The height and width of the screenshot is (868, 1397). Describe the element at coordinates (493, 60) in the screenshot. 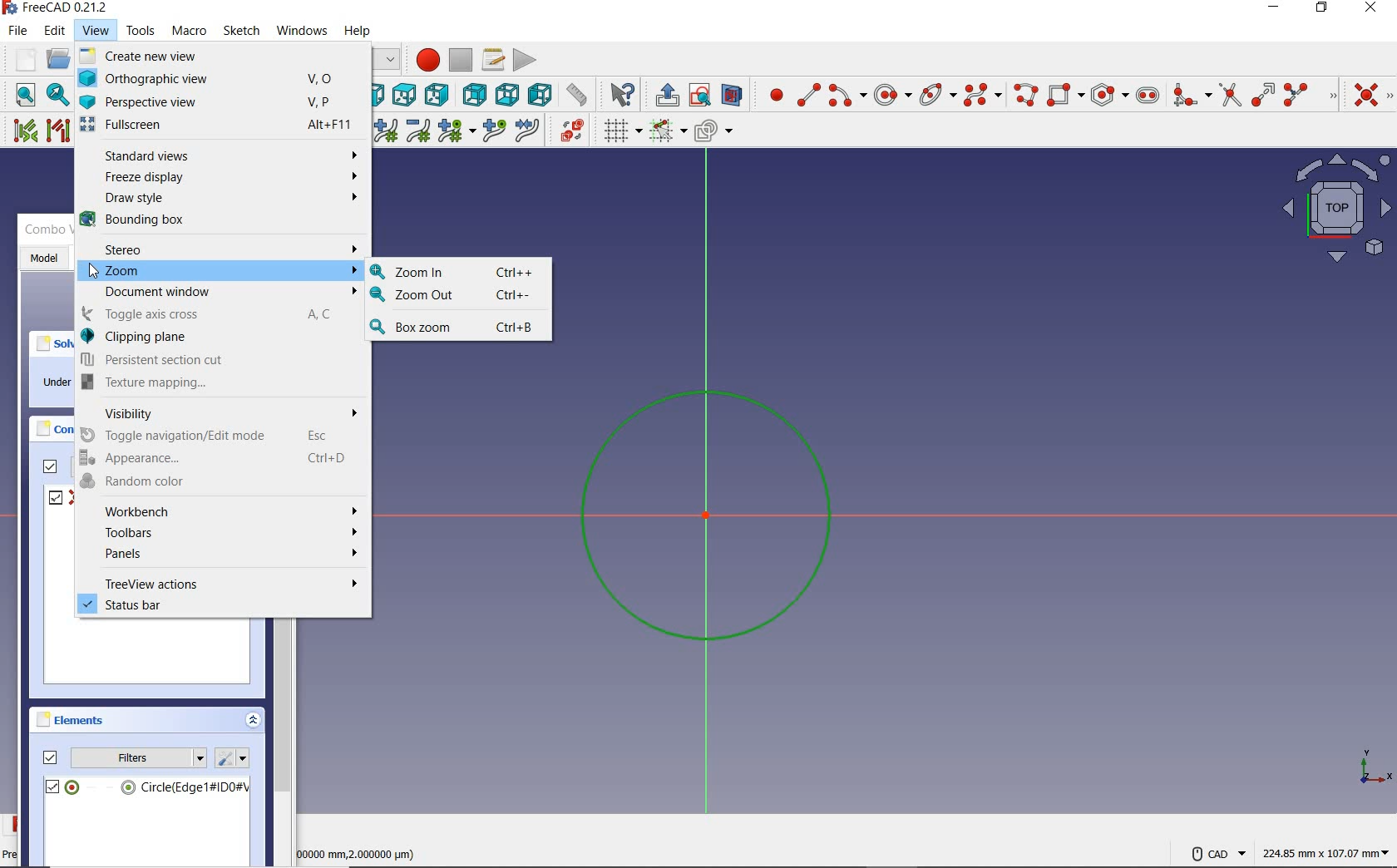

I see `macros` at that location.